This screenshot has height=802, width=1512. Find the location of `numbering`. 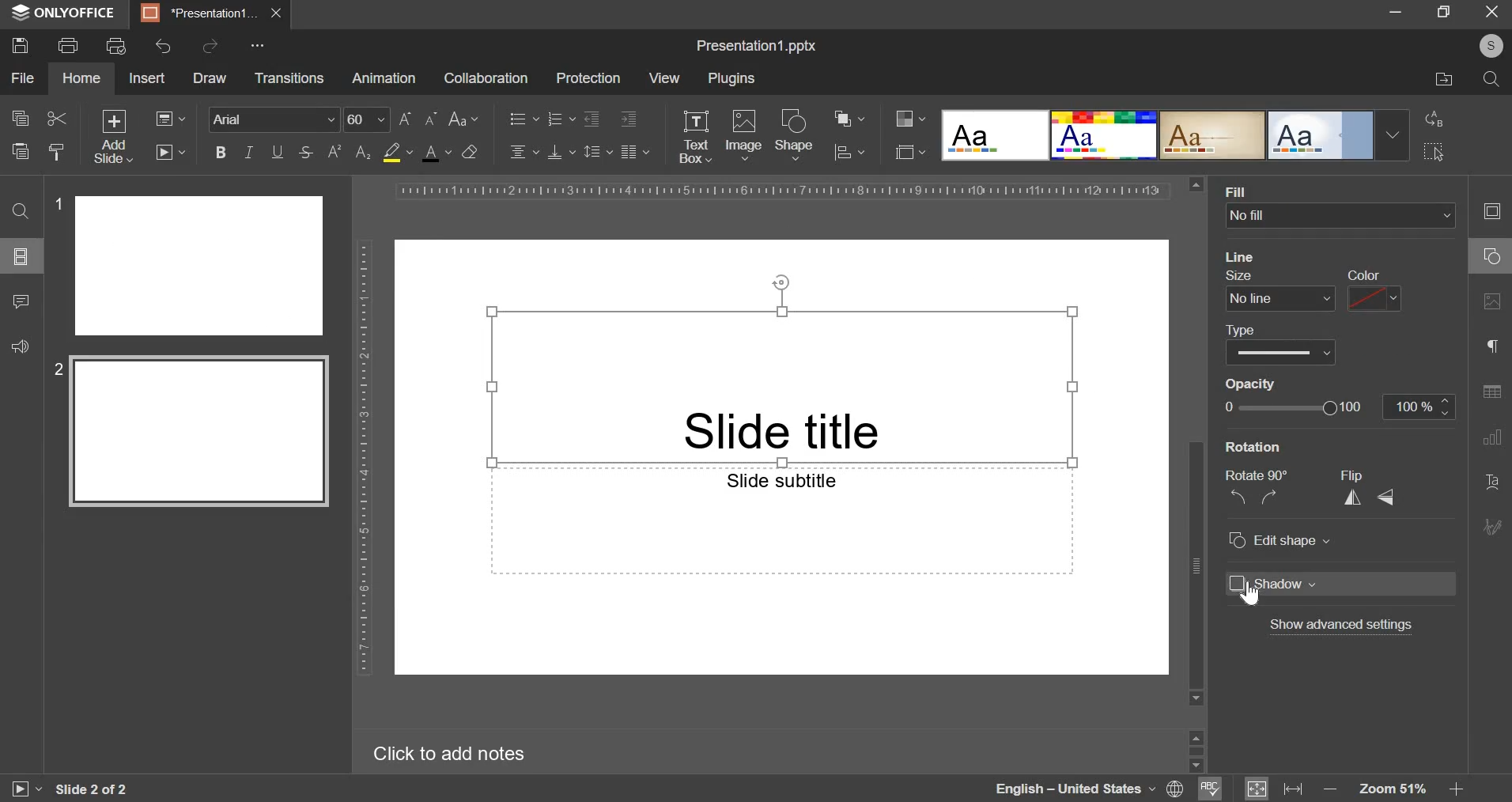

numbering is located at coordinates (560, 118).